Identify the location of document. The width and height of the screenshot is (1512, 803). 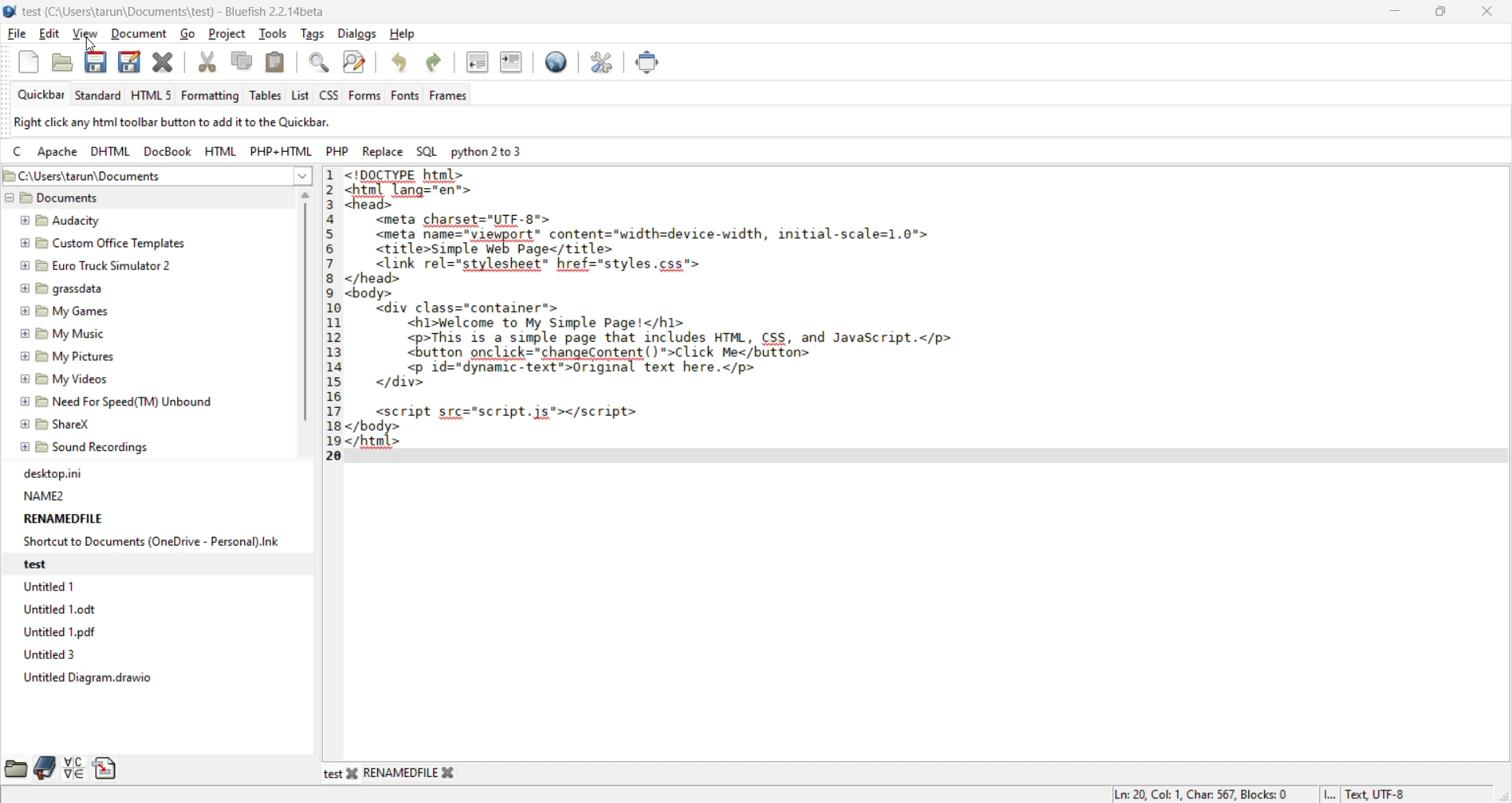
(138, 33).